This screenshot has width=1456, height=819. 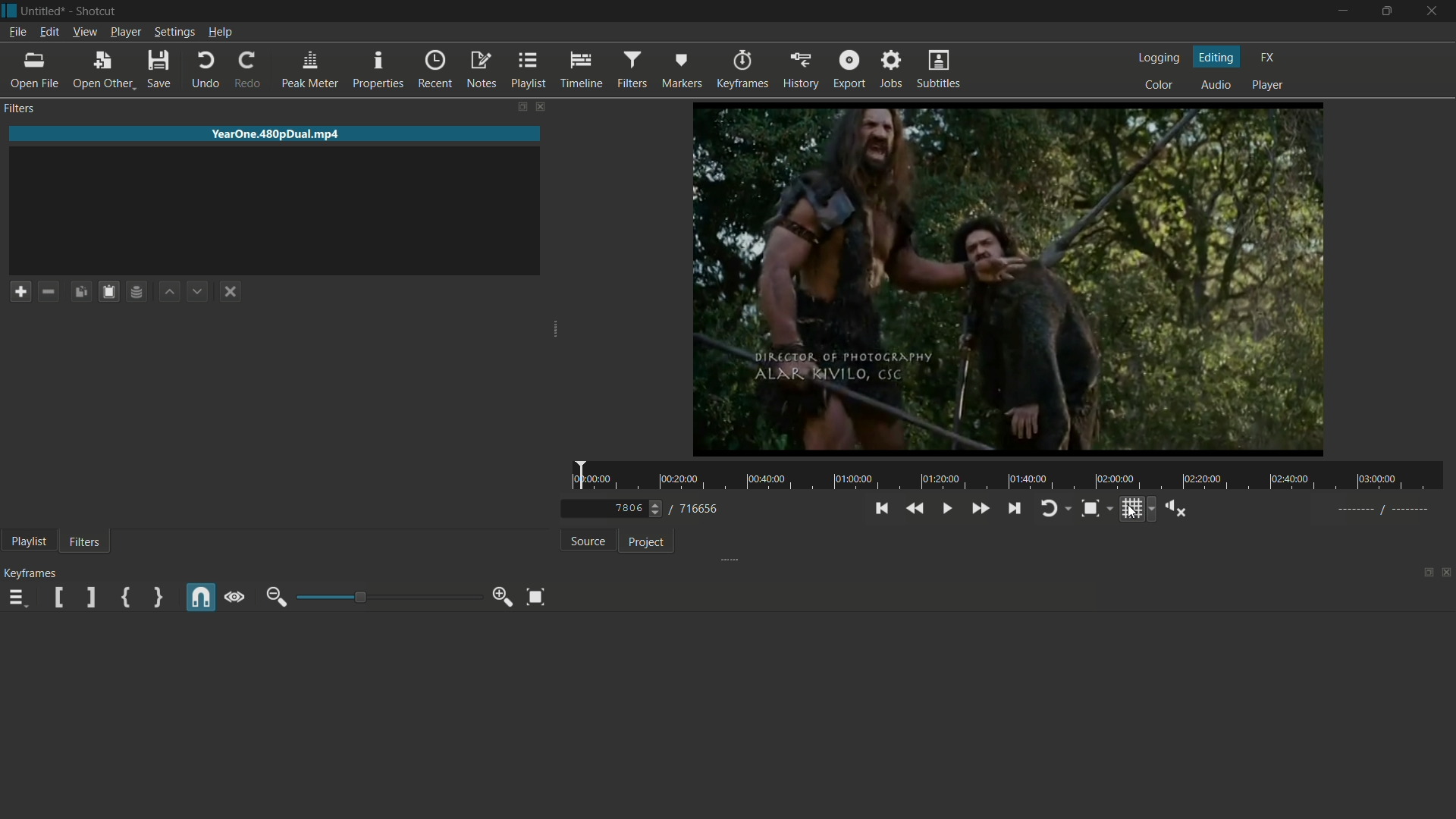 What do you see at coordinates (479, 69) in the screenshot?
I see `notes` at bounding box center [479, 69].